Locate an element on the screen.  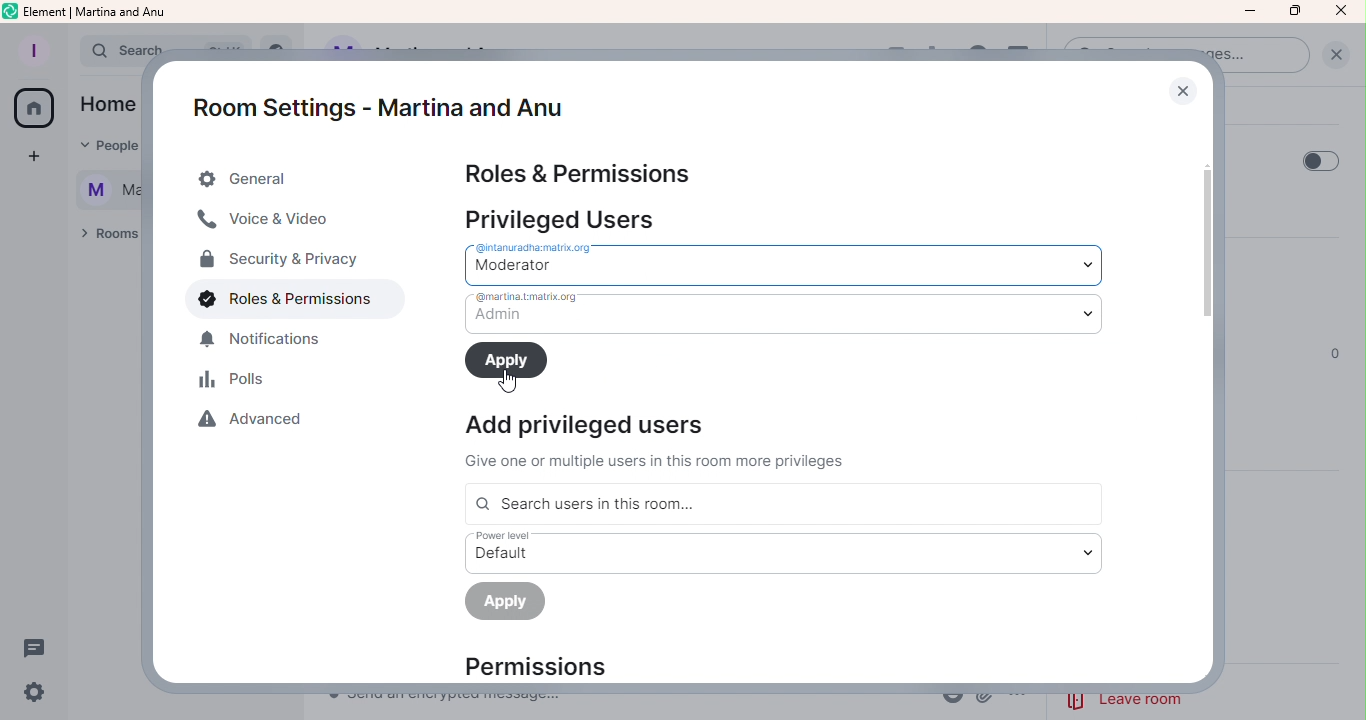
Roles and permissions is located at coordinates (580, 173).